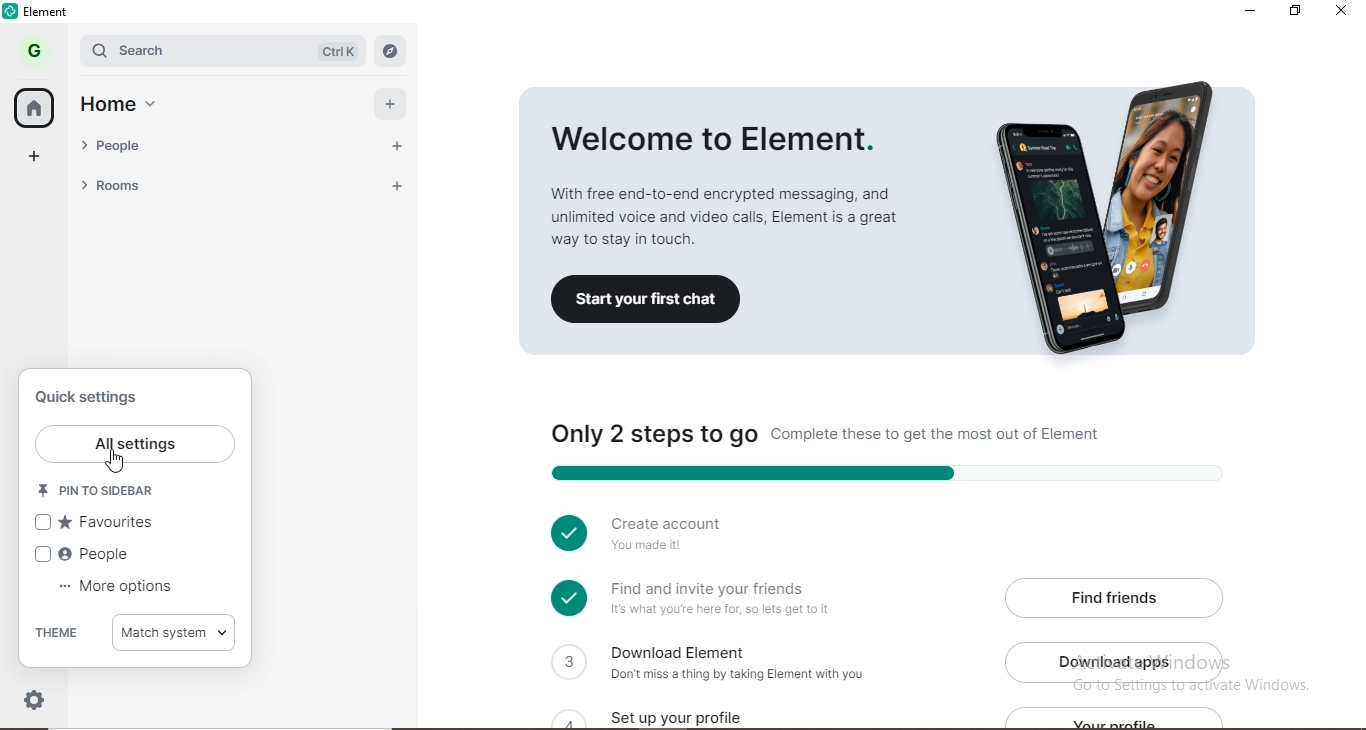  What do you see at coordinates (567, 717) in the screenshot?
I see `4` at bounding box center [567, 717].